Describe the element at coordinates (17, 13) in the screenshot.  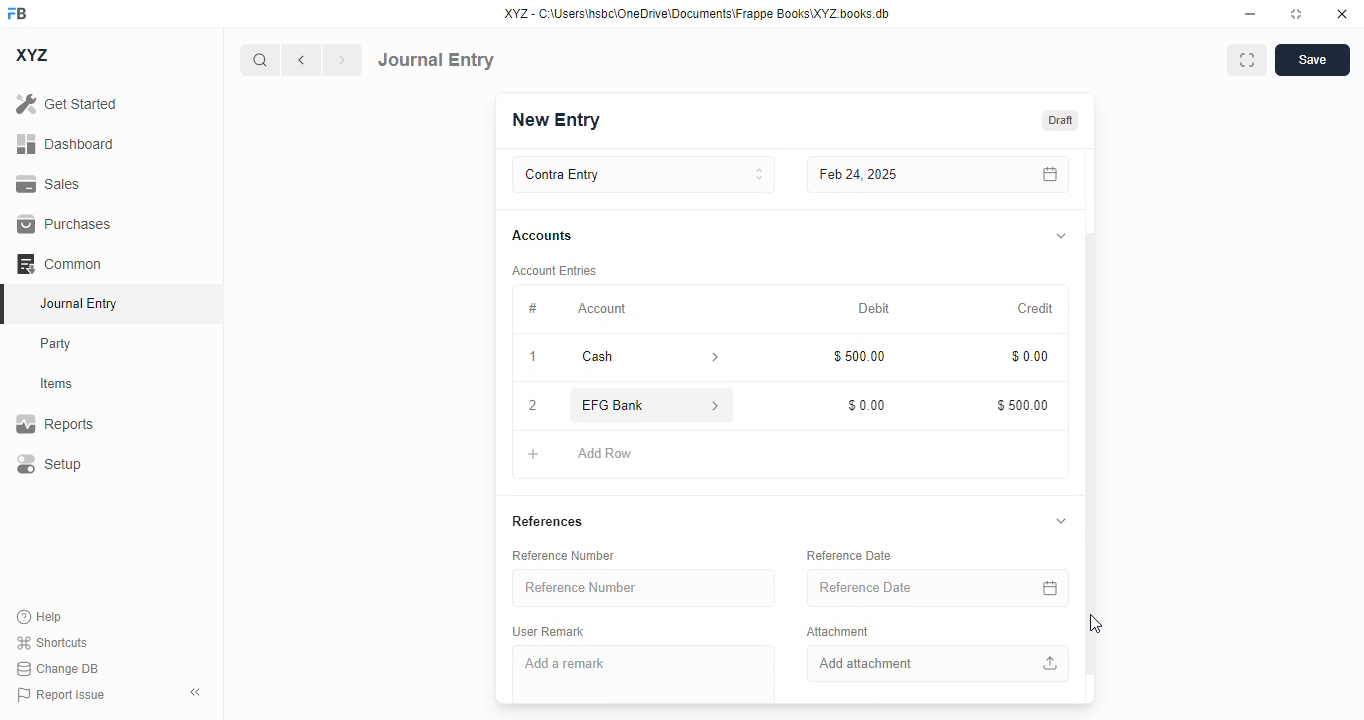
I see `FB - logo` at that location.